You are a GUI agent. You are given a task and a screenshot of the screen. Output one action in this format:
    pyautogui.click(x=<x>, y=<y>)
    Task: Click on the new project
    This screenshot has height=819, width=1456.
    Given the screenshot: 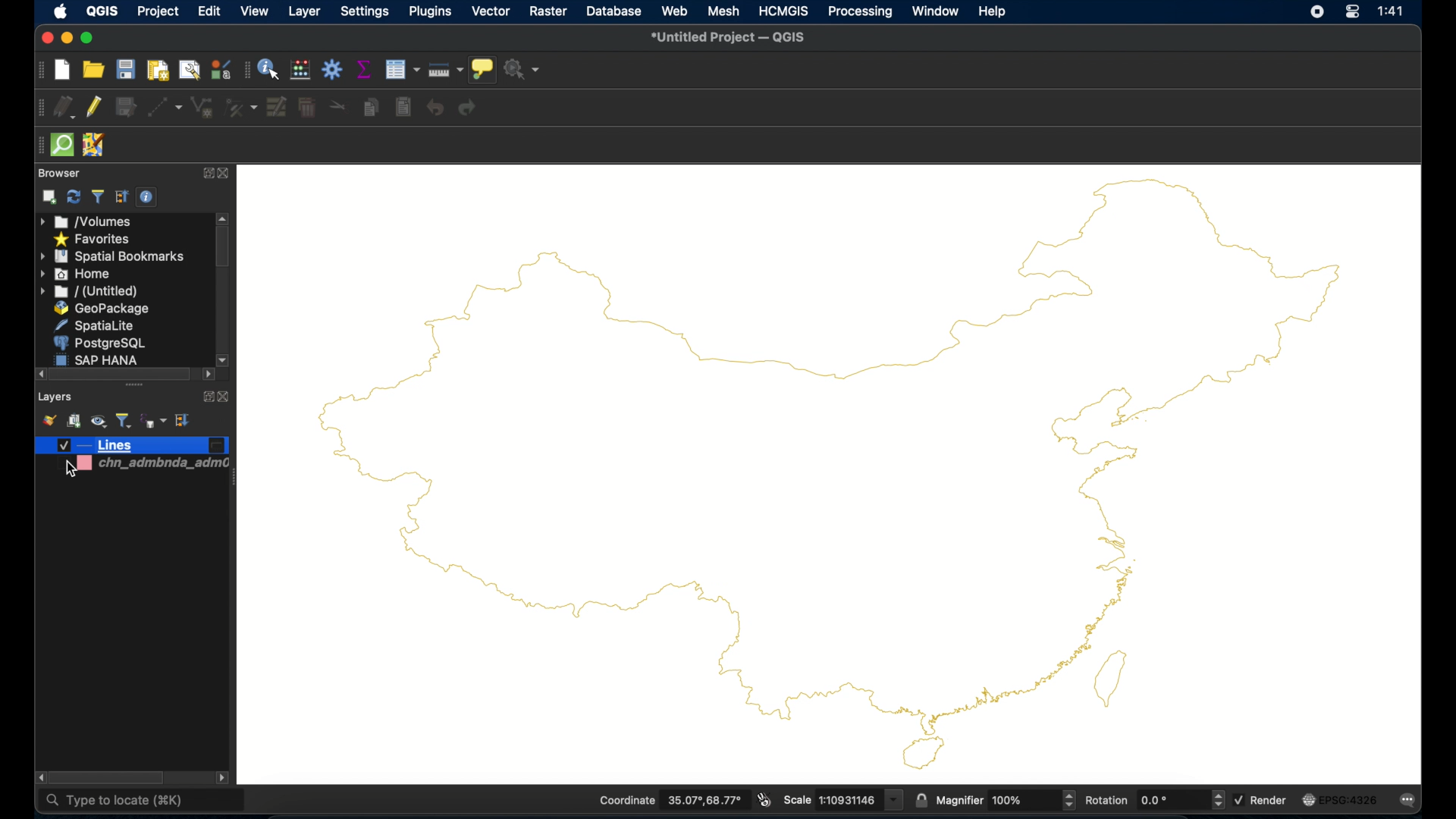 What is the action you would take?
    pyautogui.click(x=63, y=70)
    